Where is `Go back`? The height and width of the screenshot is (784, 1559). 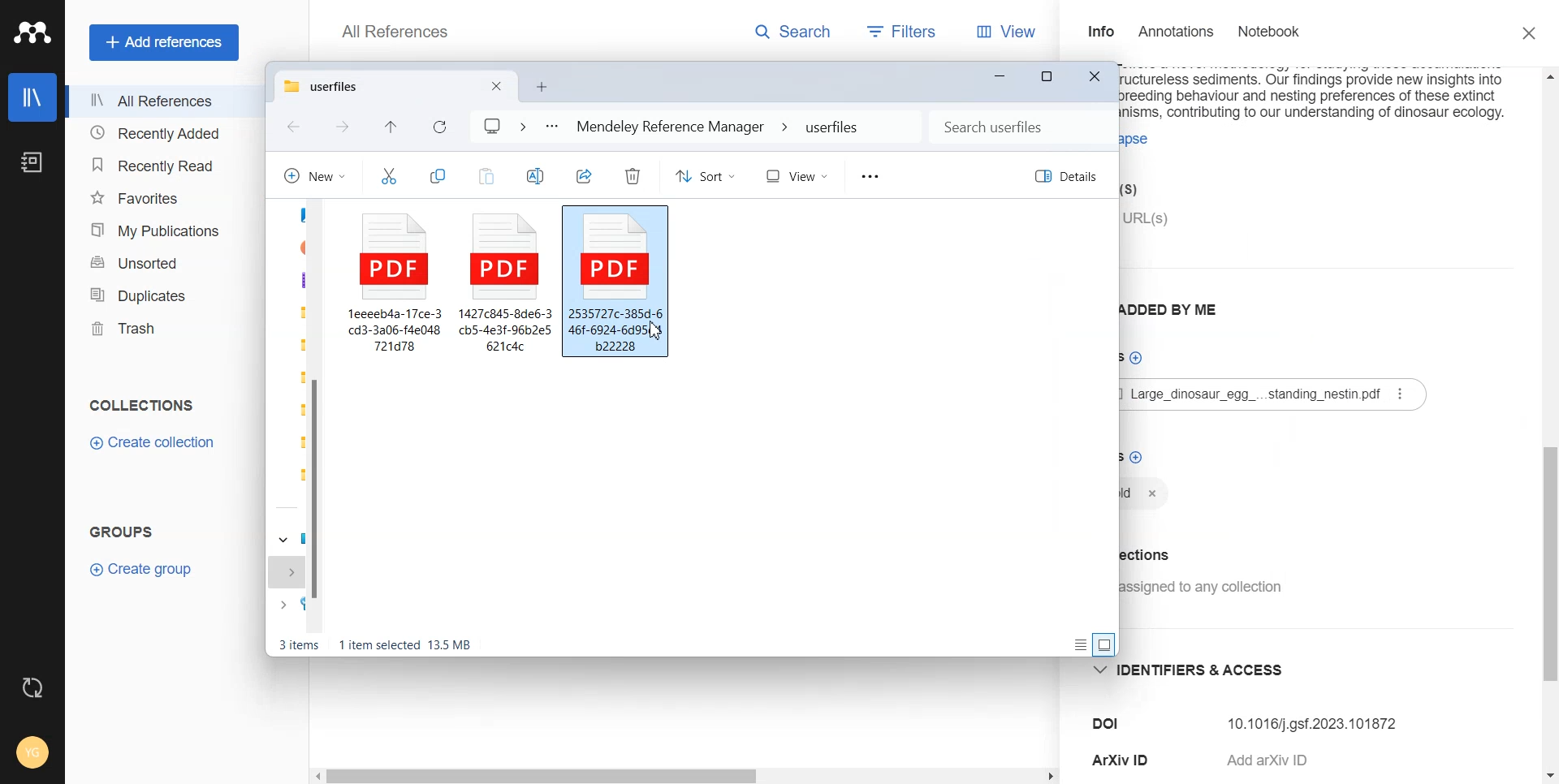 Go back is located at coordinates (296, 126).